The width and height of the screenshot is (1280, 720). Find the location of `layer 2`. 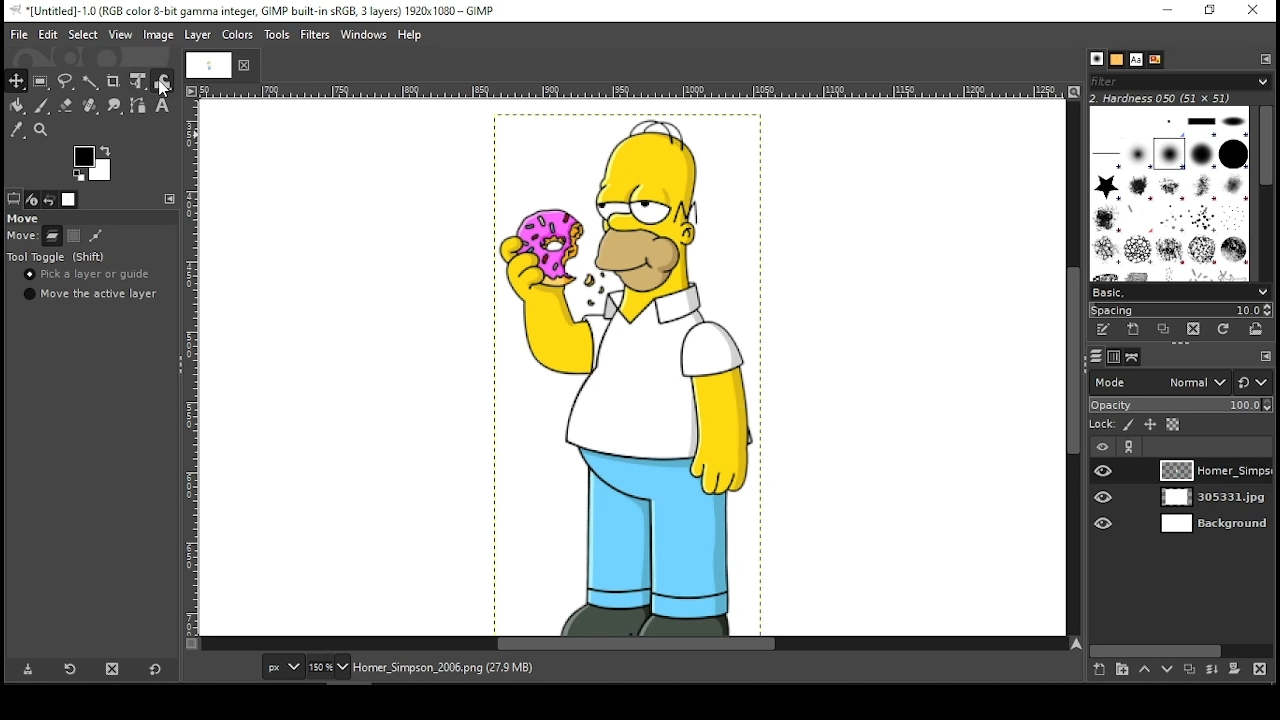

layer 2 is located at coordinates (1215, 498).